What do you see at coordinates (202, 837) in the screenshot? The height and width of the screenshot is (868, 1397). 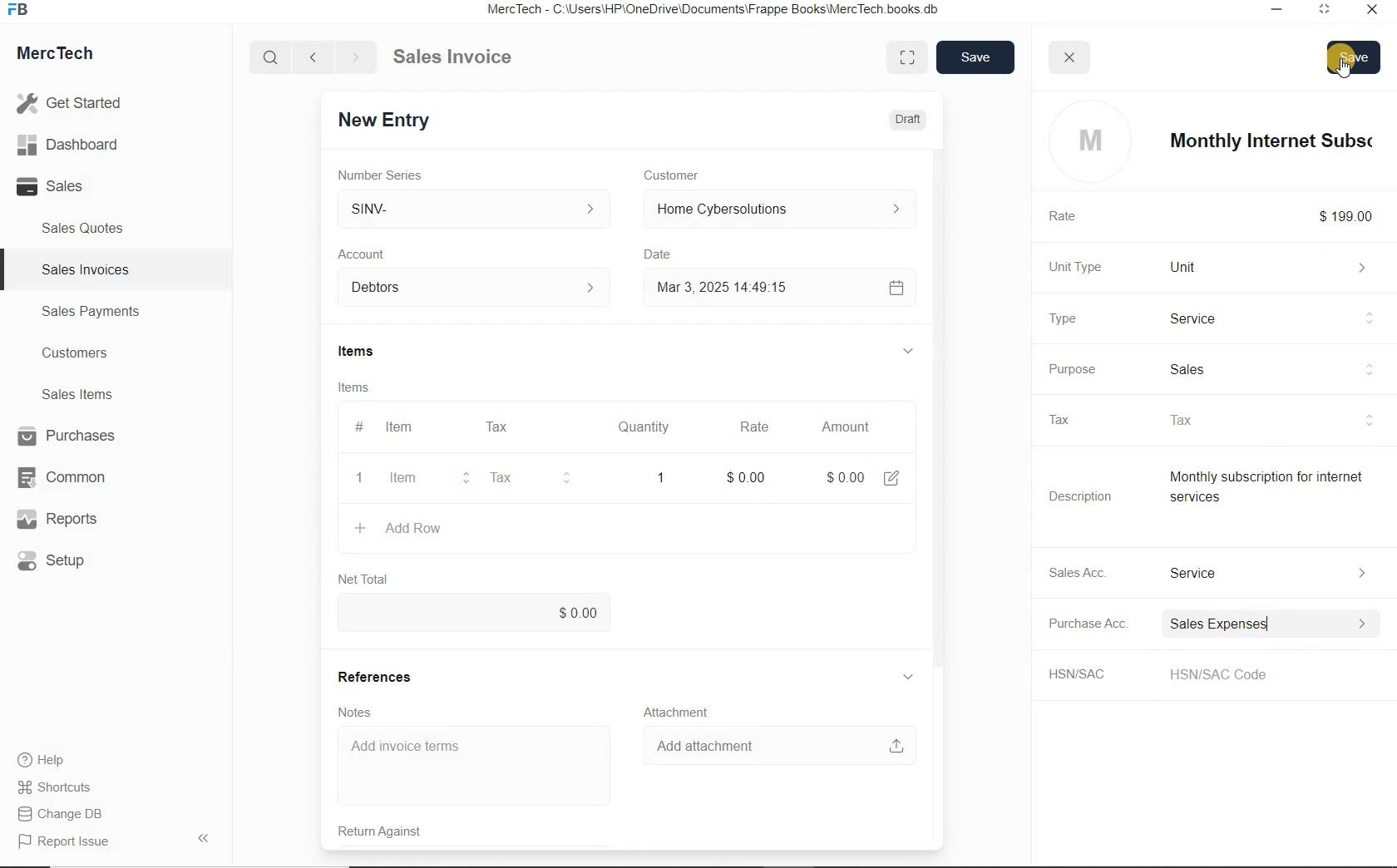 I see `Hide Sidebar` at bounding box center [202, 837].